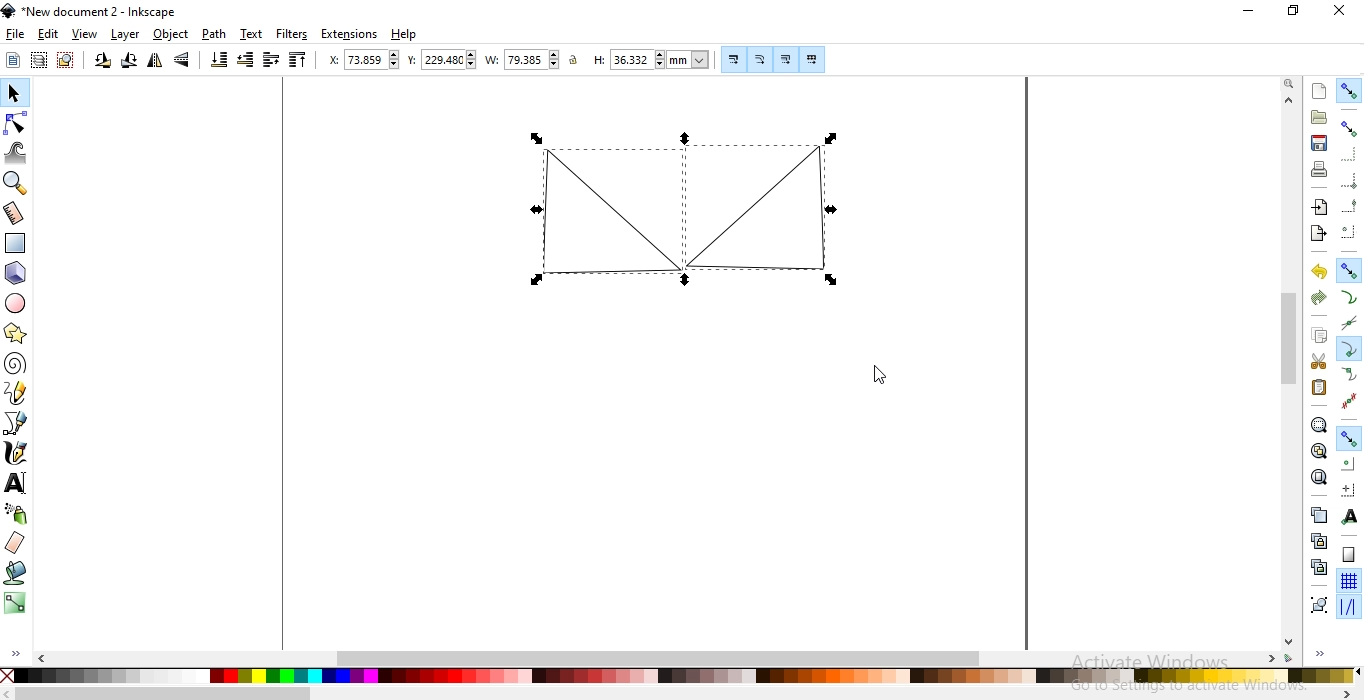 This screenshot has width=1364, height=700. Describe the element at coordinates (1348, 152) in the screenshot. I see `snap to edges of bounding box` at that location.